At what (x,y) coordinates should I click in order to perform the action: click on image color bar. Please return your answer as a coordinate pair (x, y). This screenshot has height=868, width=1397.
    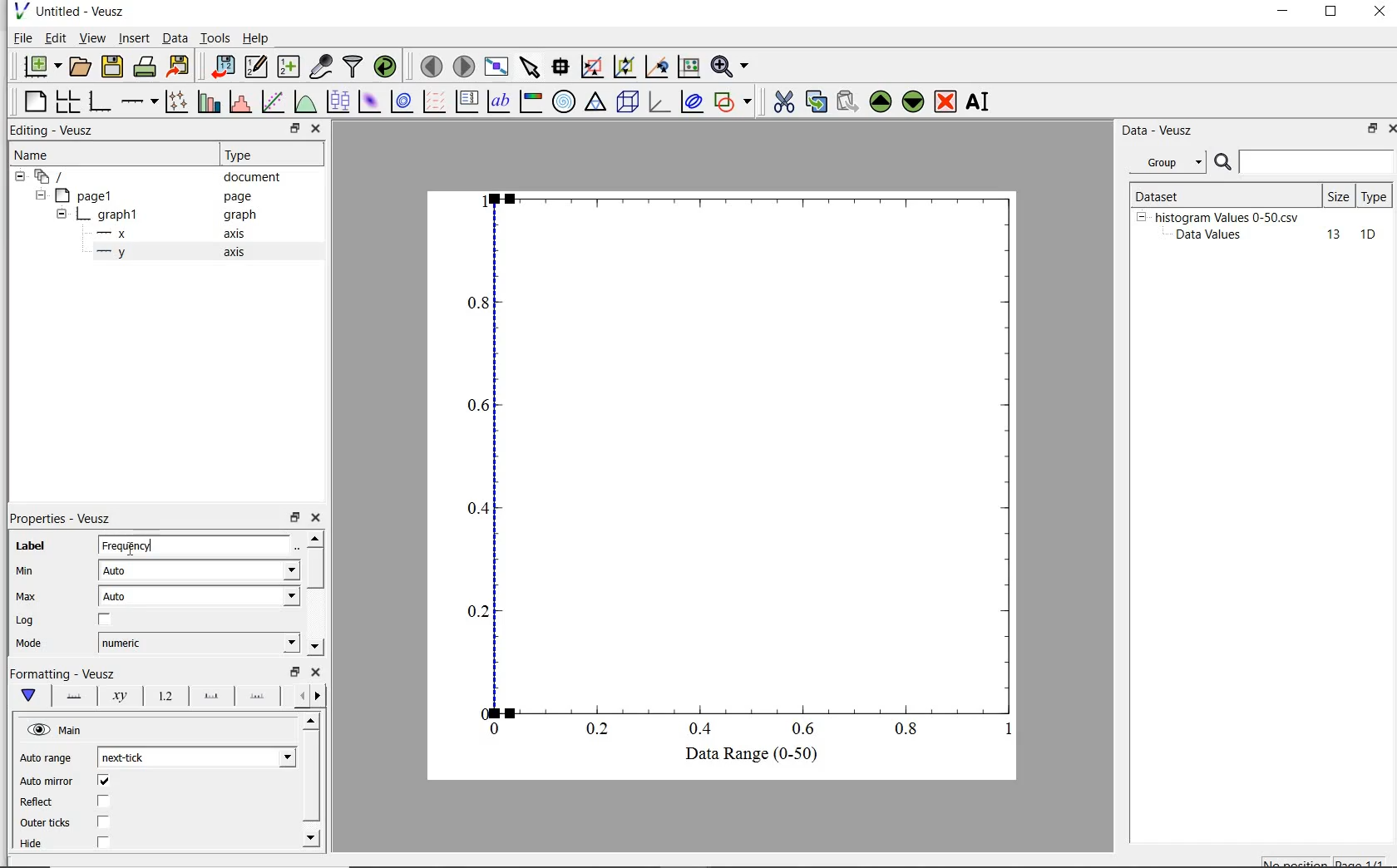
    Looking at the image, I should click on (532, 101).